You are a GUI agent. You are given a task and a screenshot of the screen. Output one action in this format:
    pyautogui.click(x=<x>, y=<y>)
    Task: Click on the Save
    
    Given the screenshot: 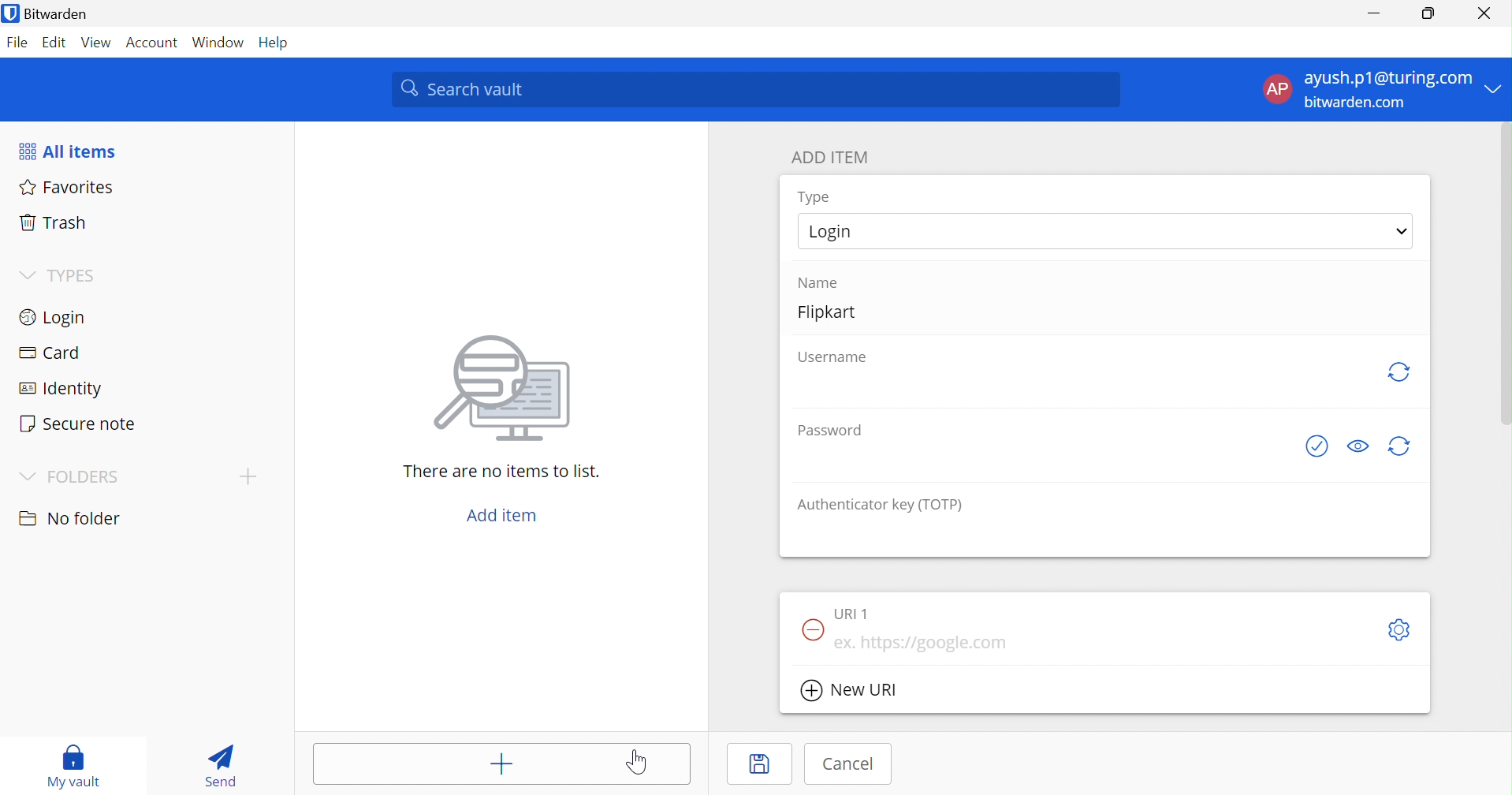 What is the action you would take?
    pyautogui.click(x=749, y=767)
    